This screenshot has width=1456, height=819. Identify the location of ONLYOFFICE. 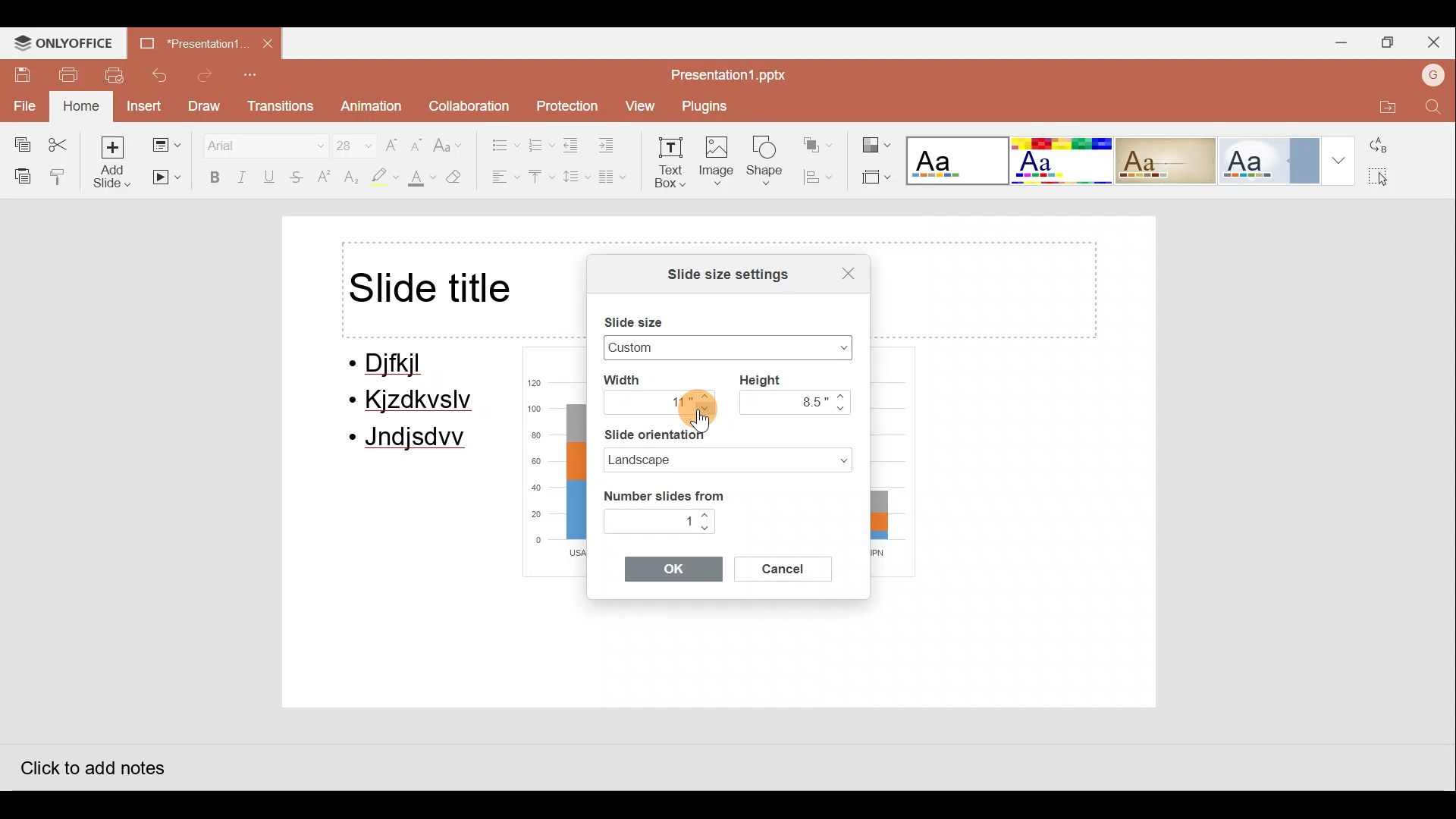
(65, 42).